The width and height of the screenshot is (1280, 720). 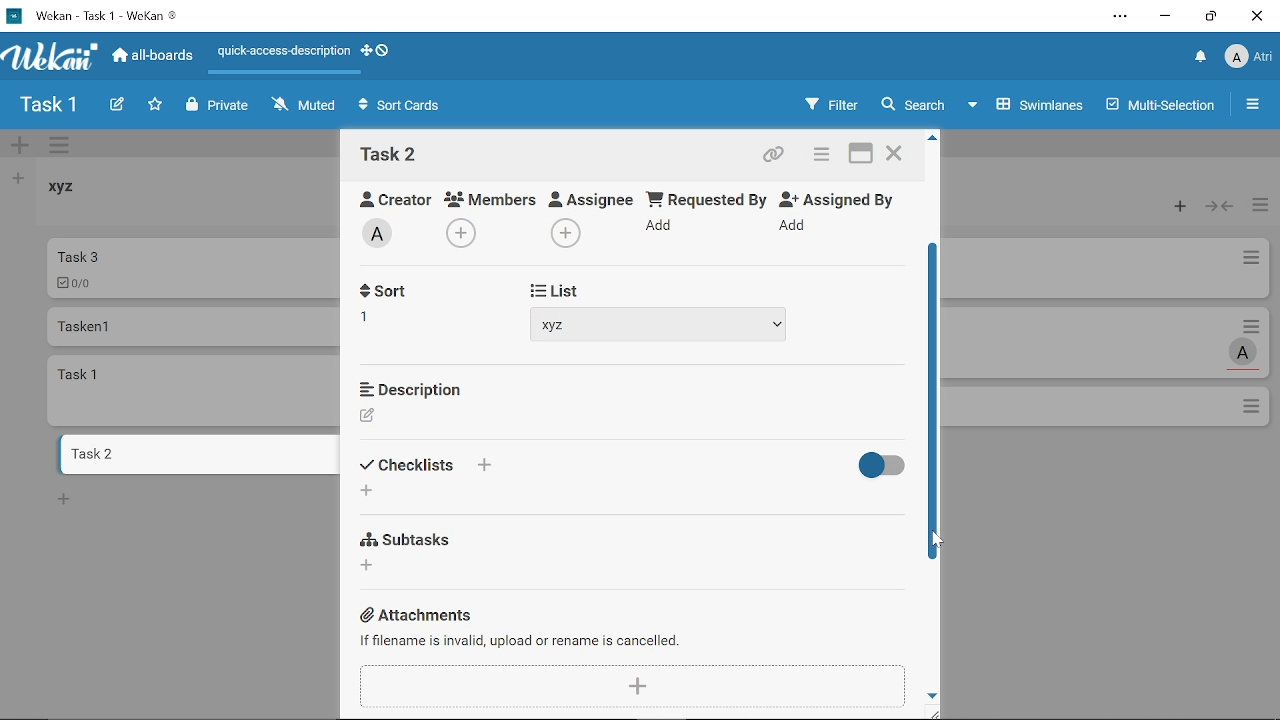 I want to click on Subtasks, so click(x=410, y=537).